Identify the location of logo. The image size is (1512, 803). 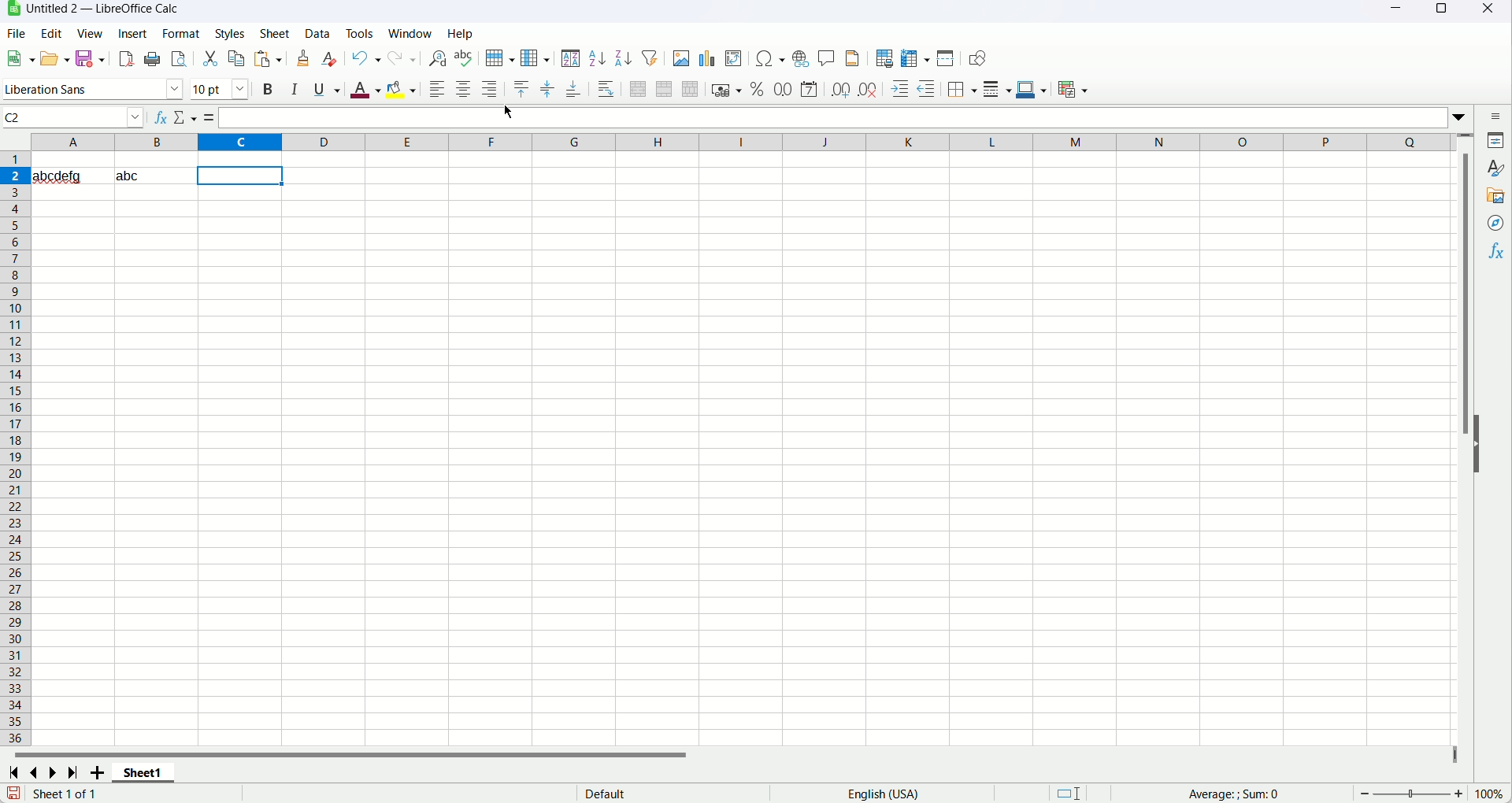
(10, 10).